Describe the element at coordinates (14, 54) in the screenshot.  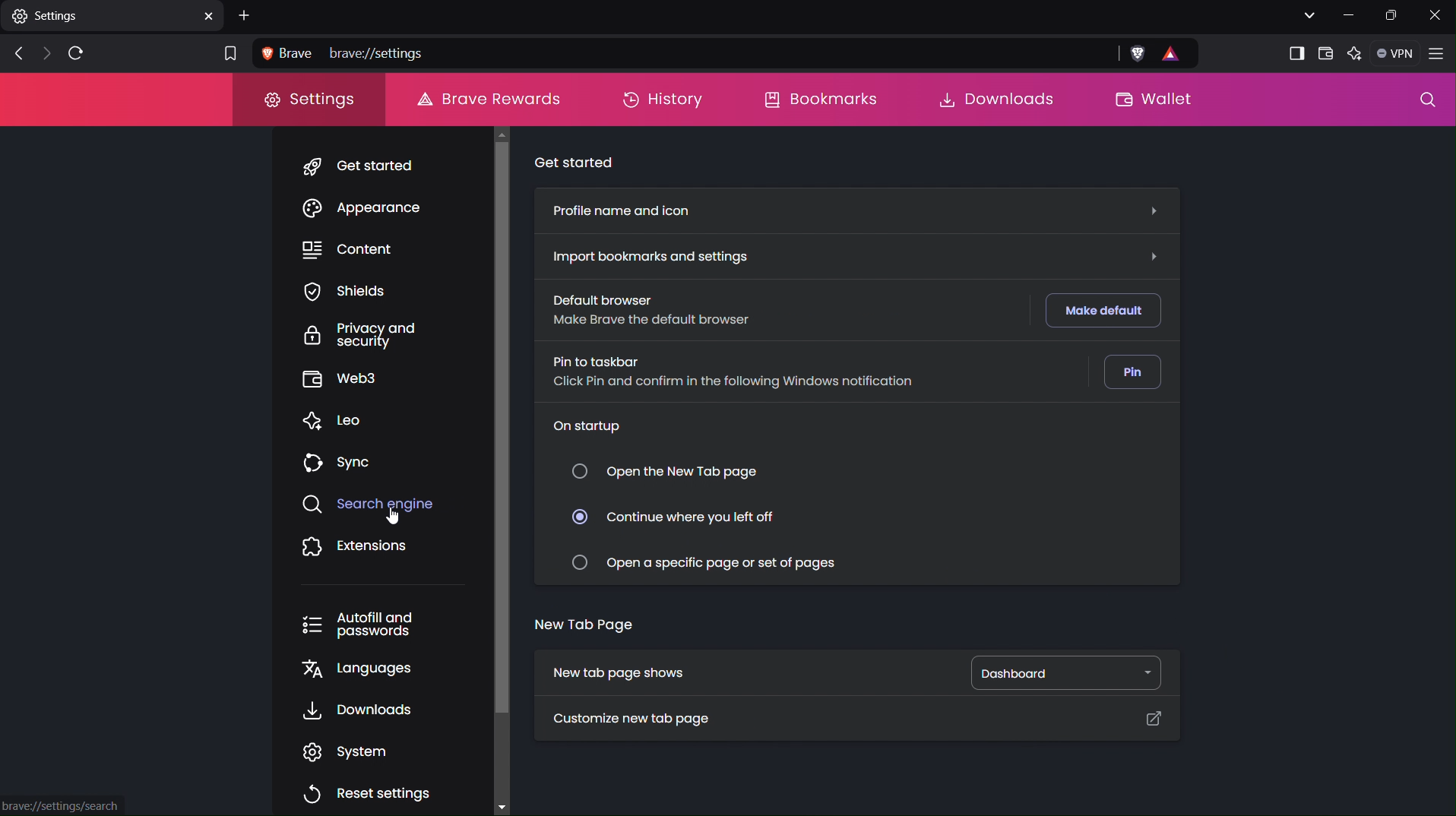
I see `Back` at that location.